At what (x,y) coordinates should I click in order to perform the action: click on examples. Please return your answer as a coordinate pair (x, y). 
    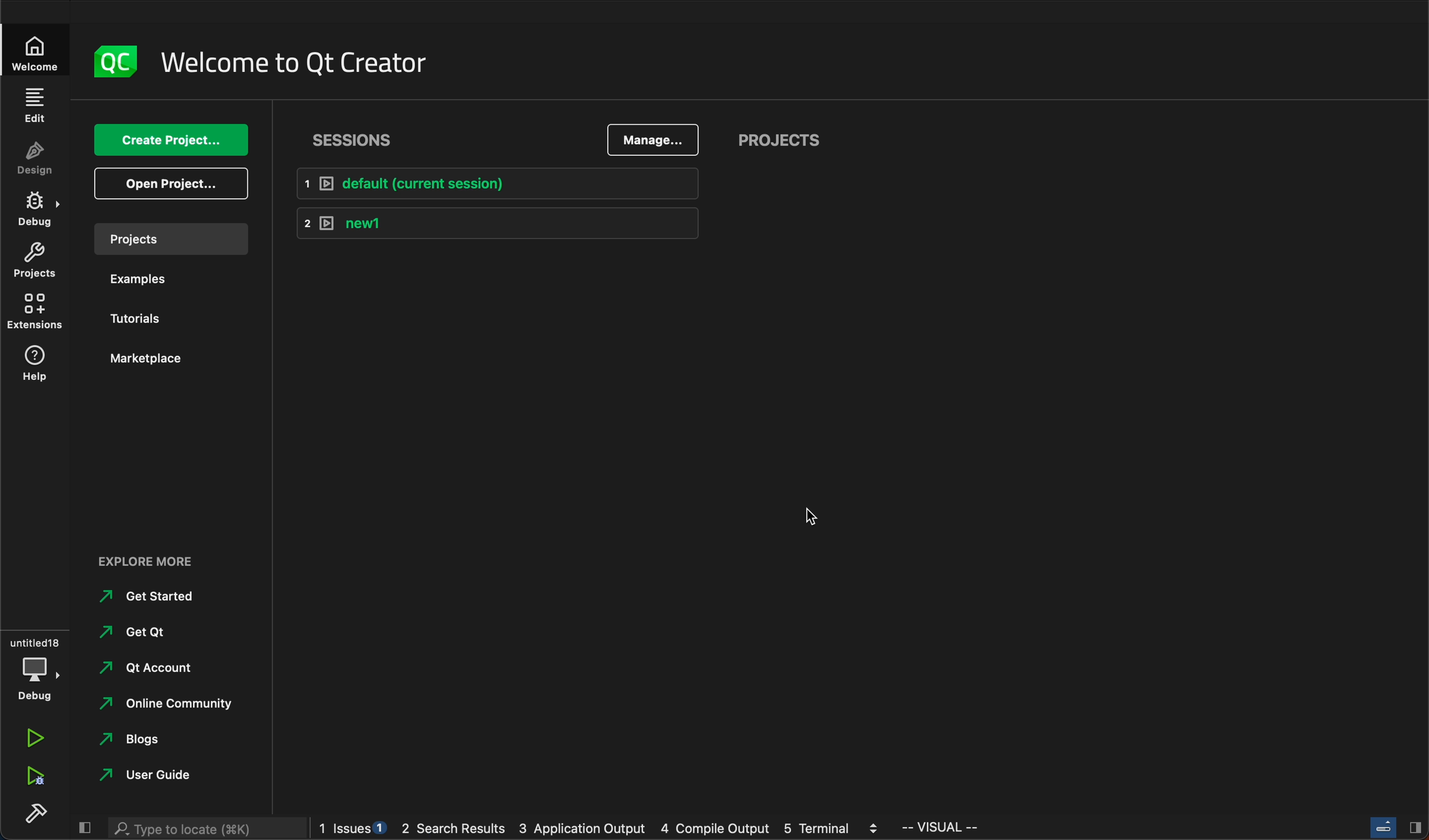
    Looking at the image, I should click on (150, 279).